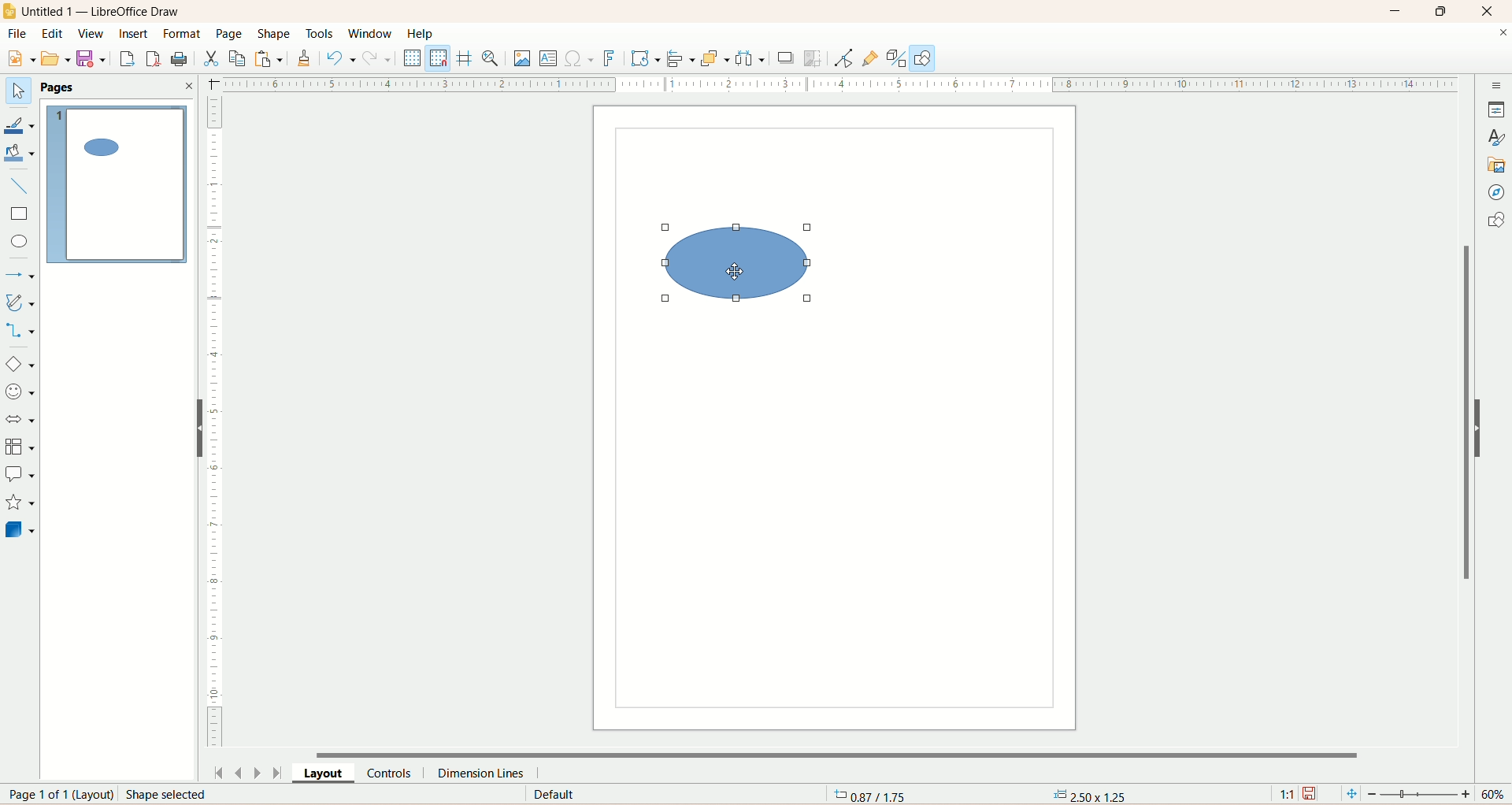 The height and width of the screenshot is (805, 1512). Describe the element at coordinates (19, 393) in the screenshot. I see `symbol shapes` at that location.